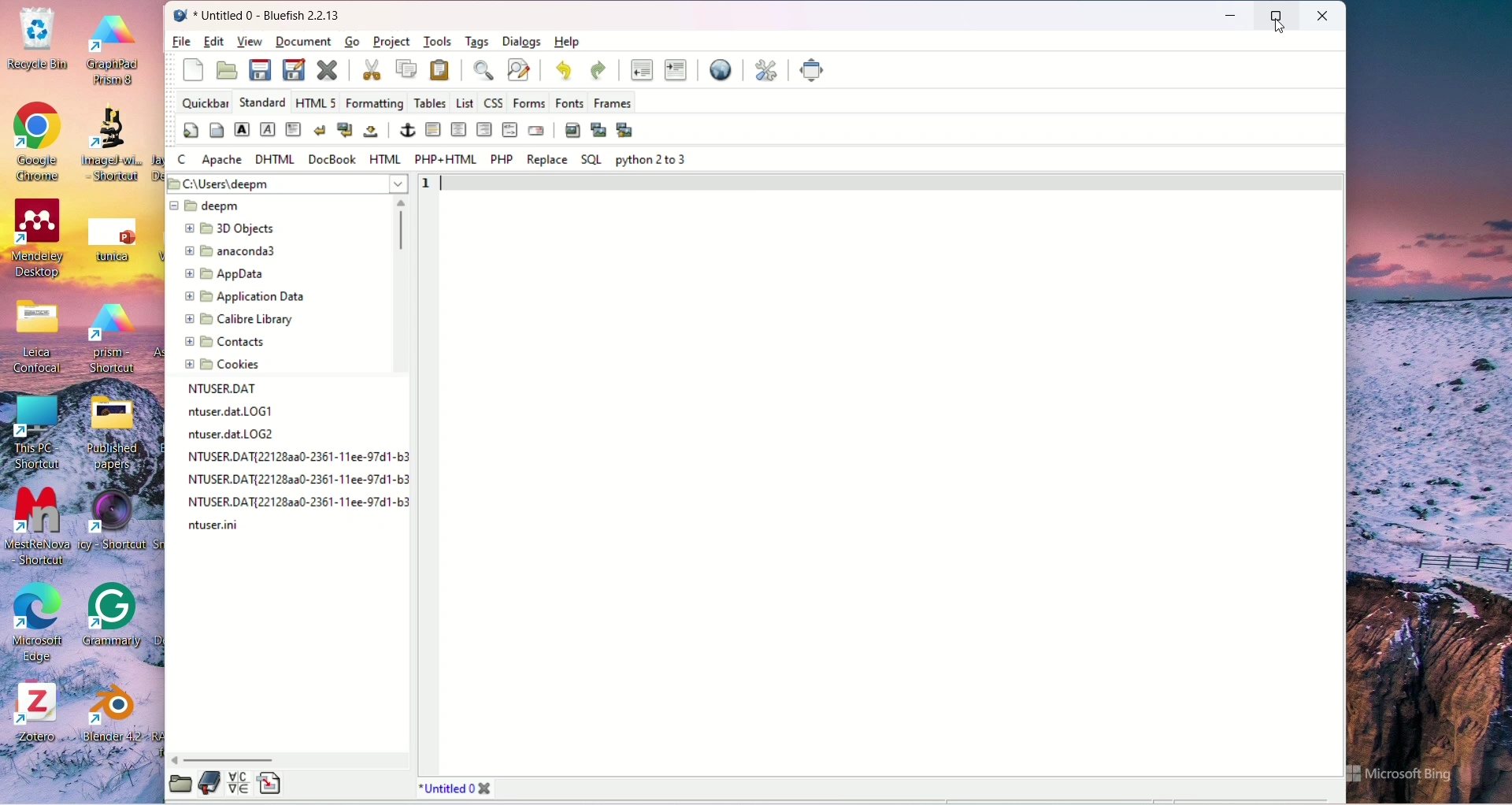 The width and height of the screenshot is (1512, 805). What do you see at coordinates (238, 783) in the screenshot?
I see `insert special character` at bounding box center [238, 783].